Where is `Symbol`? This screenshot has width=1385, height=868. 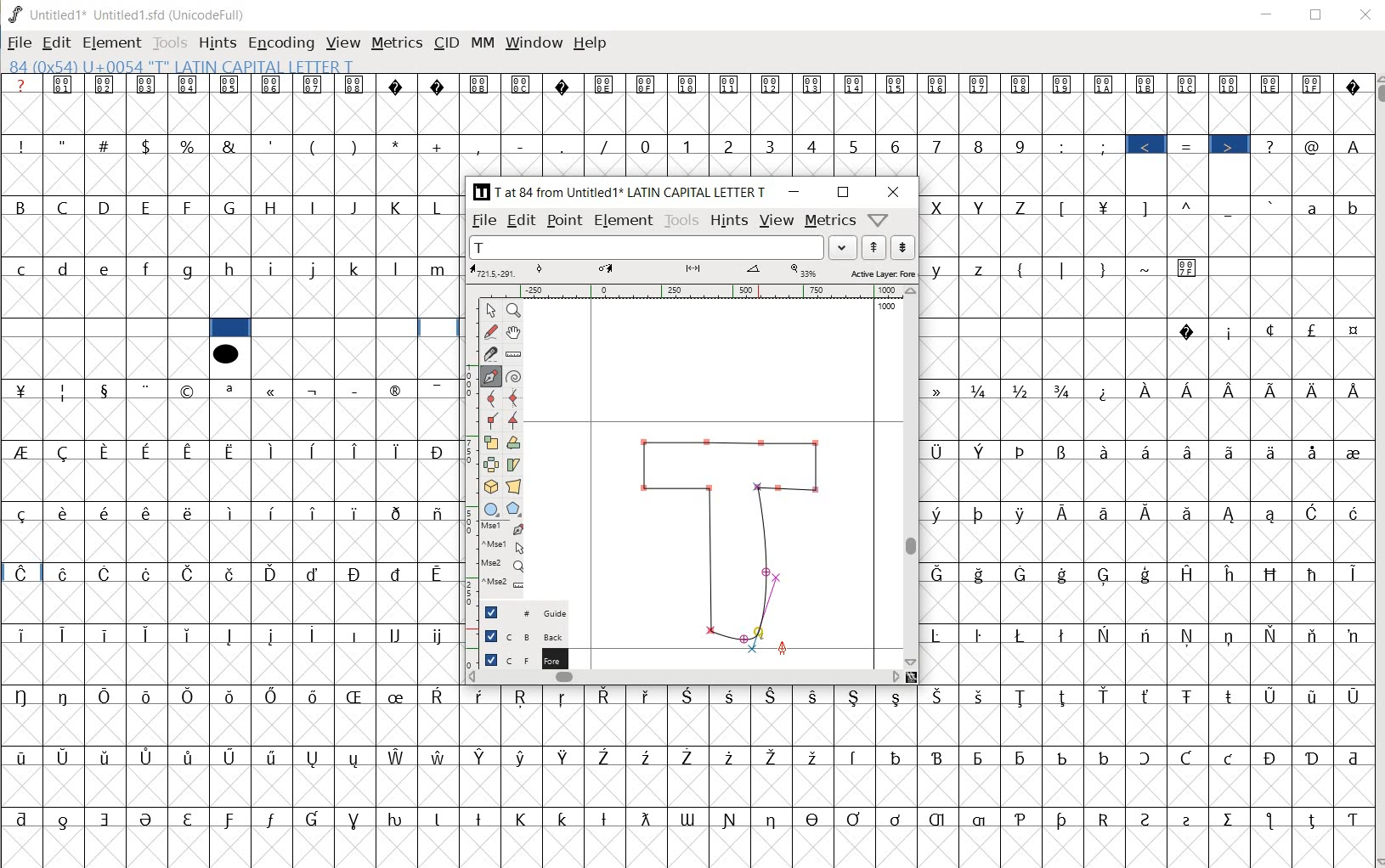 Symbol is located at coordinates (732, 819).